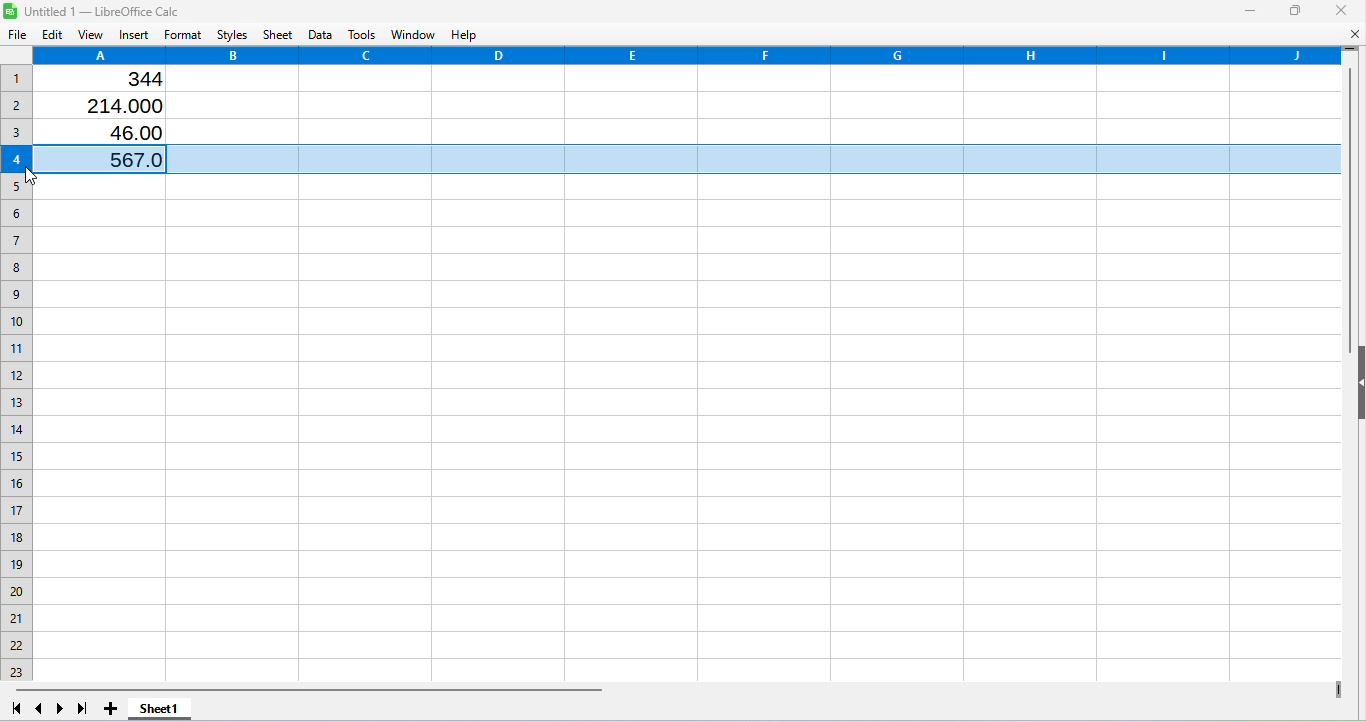 This screenshot has width=1366, height=722. Describe the element at coordinates (81, 709) in the screenshot. I see `Scroll to last sheet` at that location.